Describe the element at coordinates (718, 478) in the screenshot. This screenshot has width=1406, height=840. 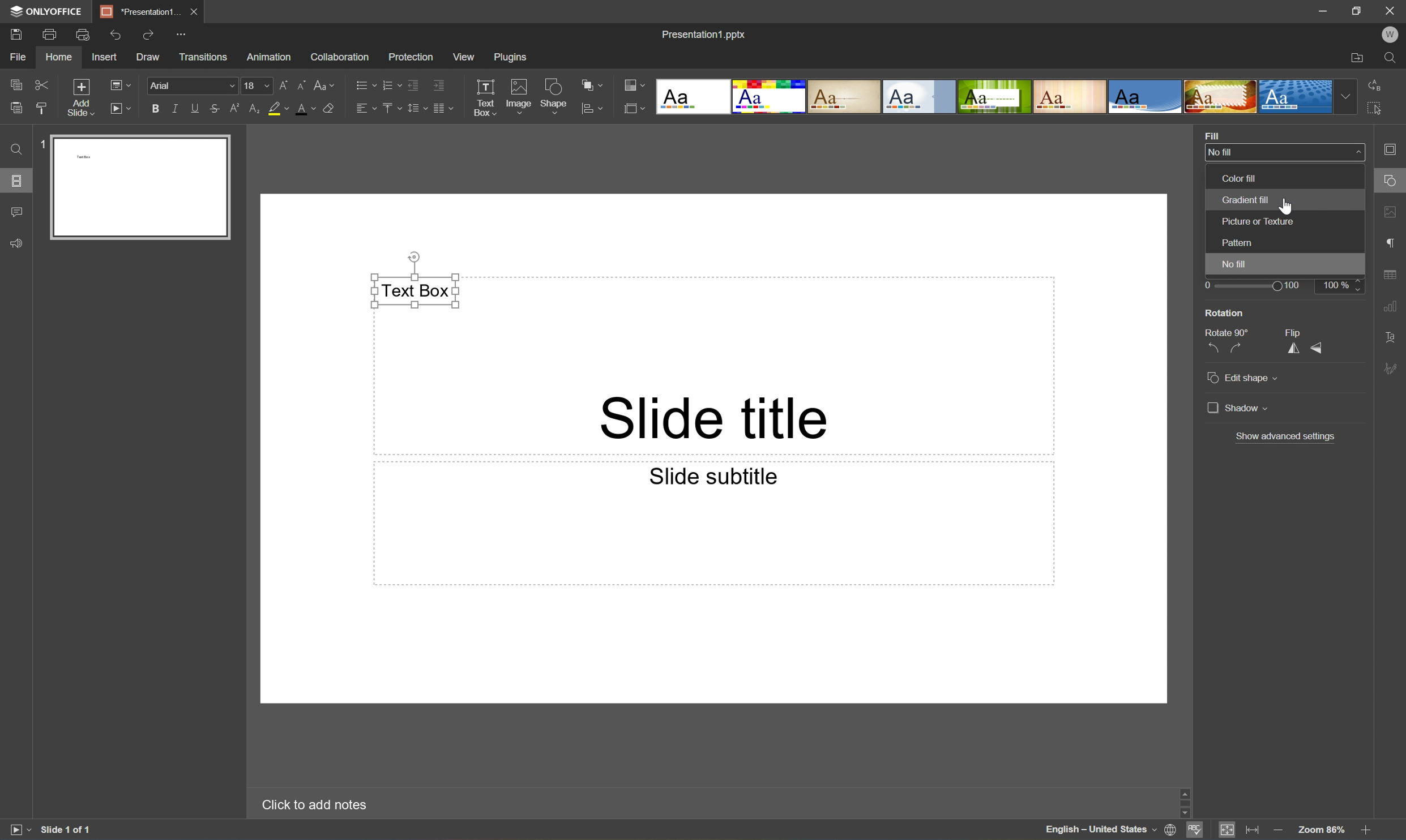
I see `Slide subtitle` at that location.